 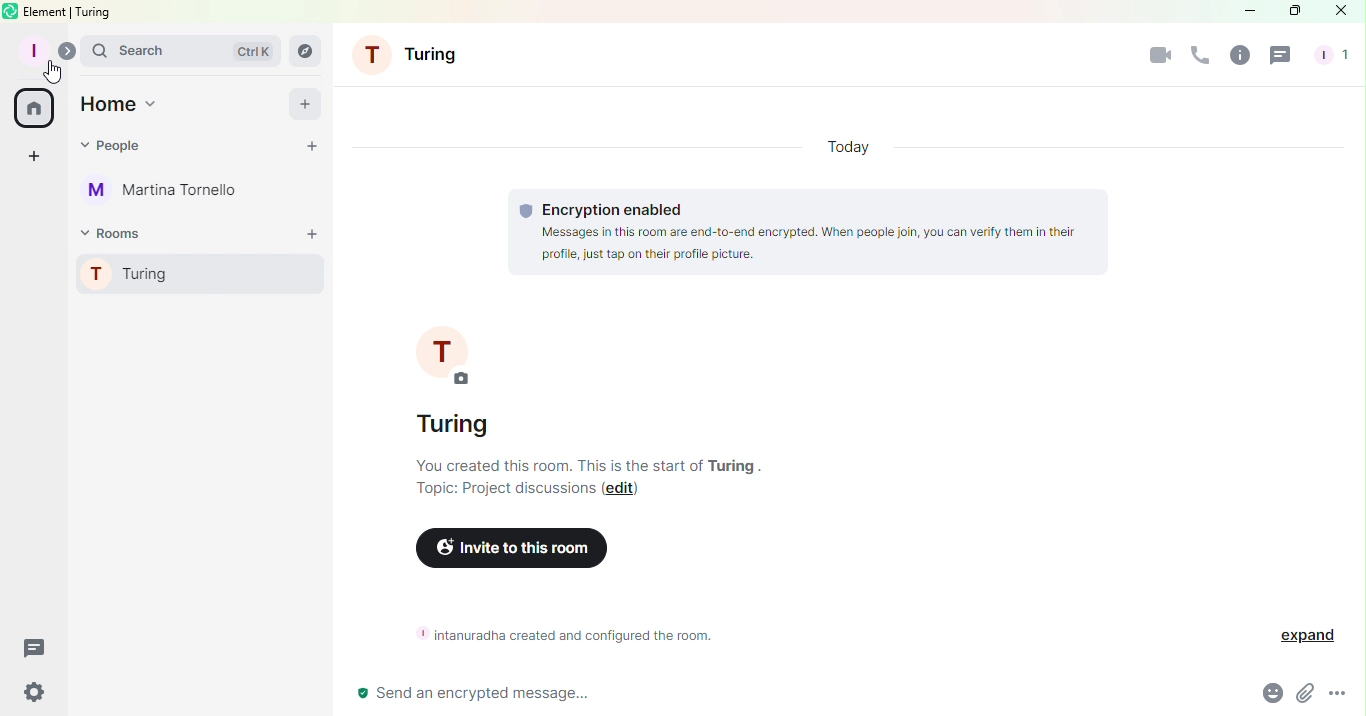 I want to click on Maximize, so click(x=1292, y=12).